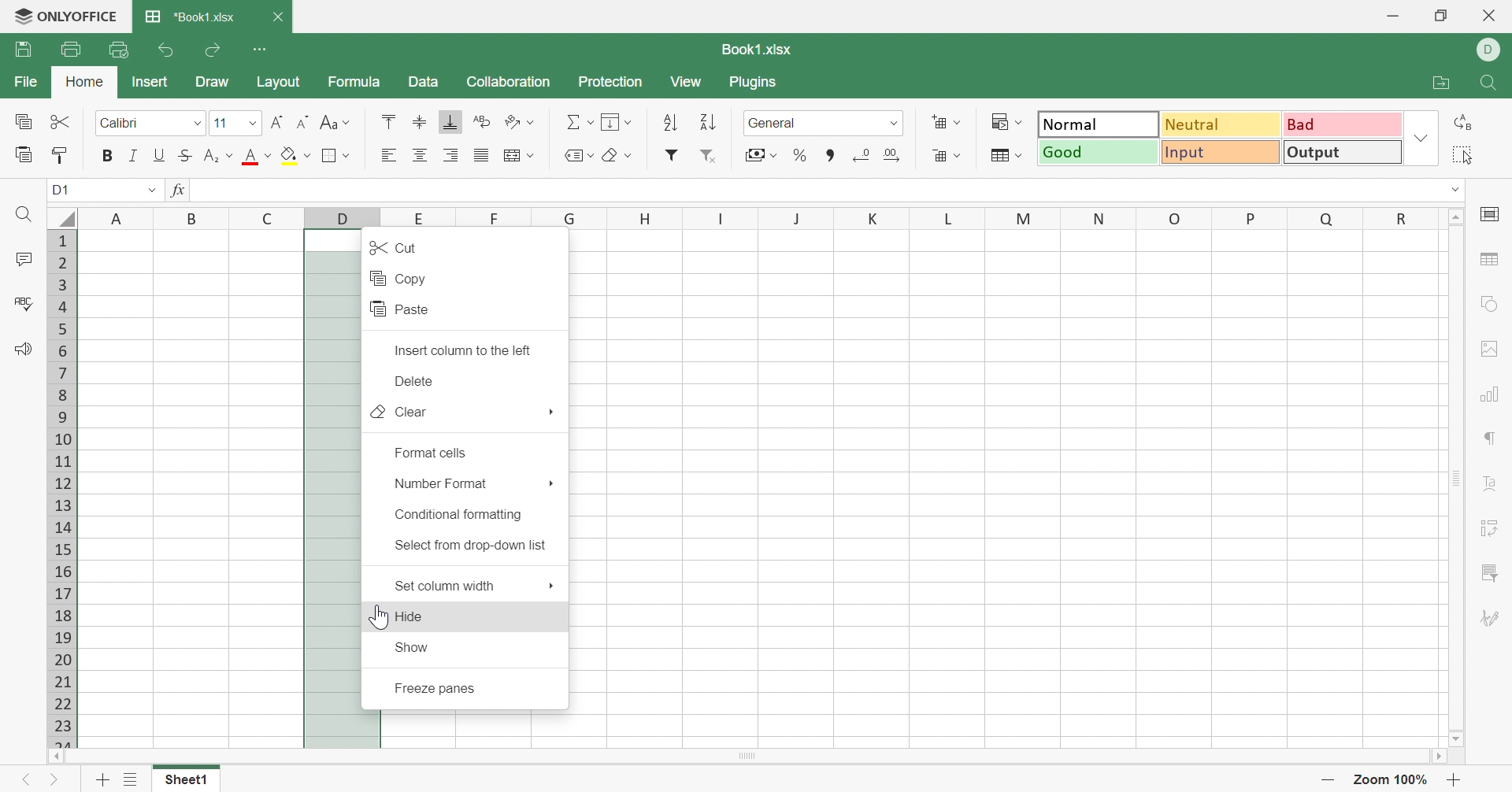 The height and width of the screenshot is (792, 1512). What do you see at coordinates (277, 120) in the screenshot?
I see `Increment font size` at bounding box center [277, 120].